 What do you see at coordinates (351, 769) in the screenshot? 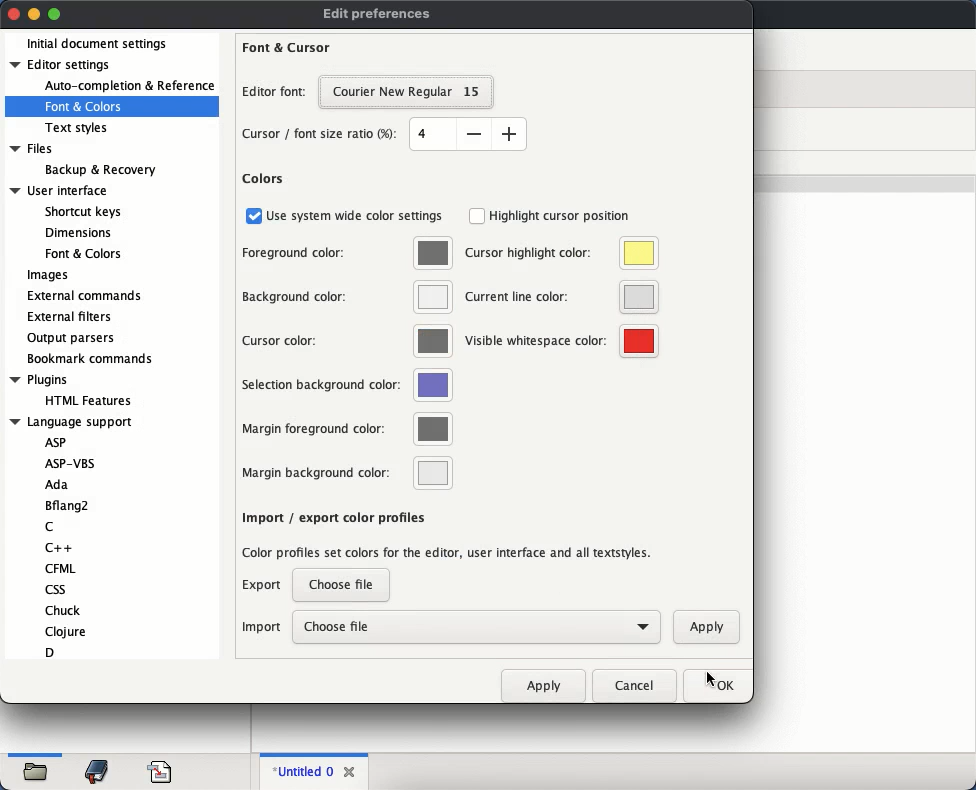
I see `close` at bounding box center [351, 769].